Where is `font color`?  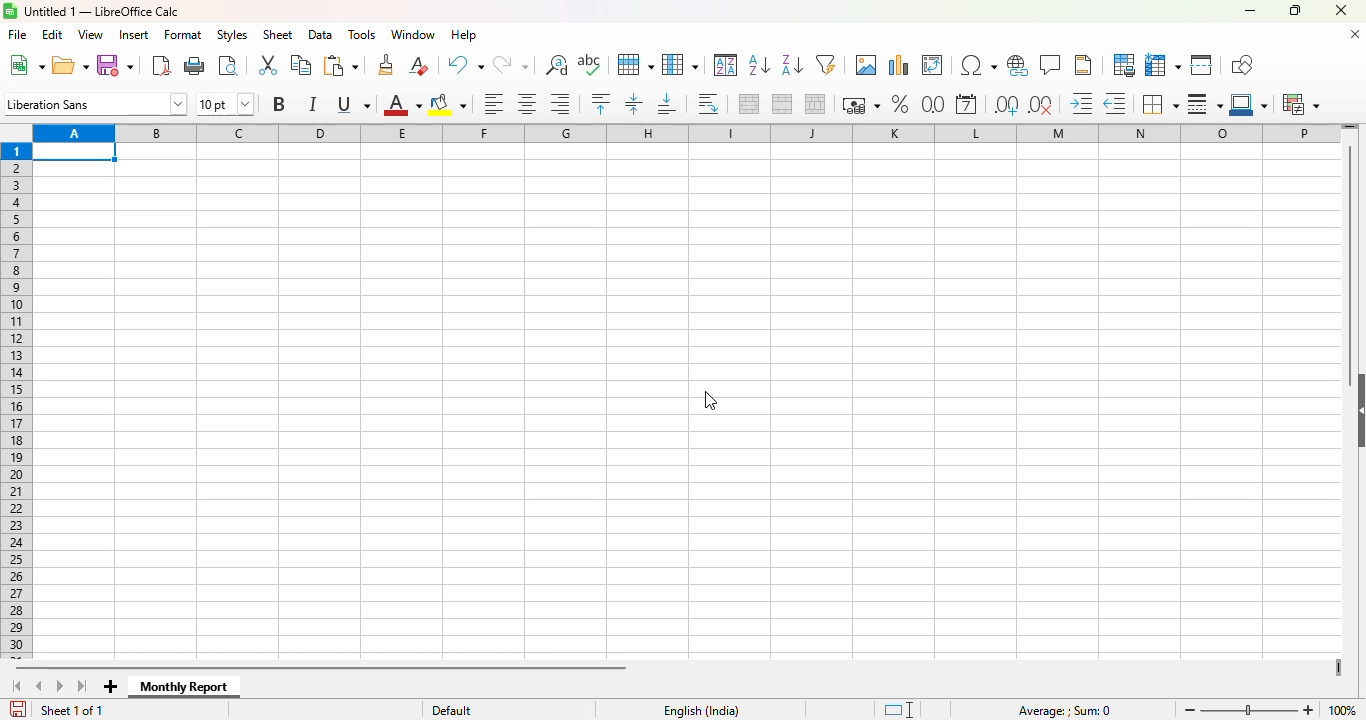
font color is located at coordinates (401, 104).